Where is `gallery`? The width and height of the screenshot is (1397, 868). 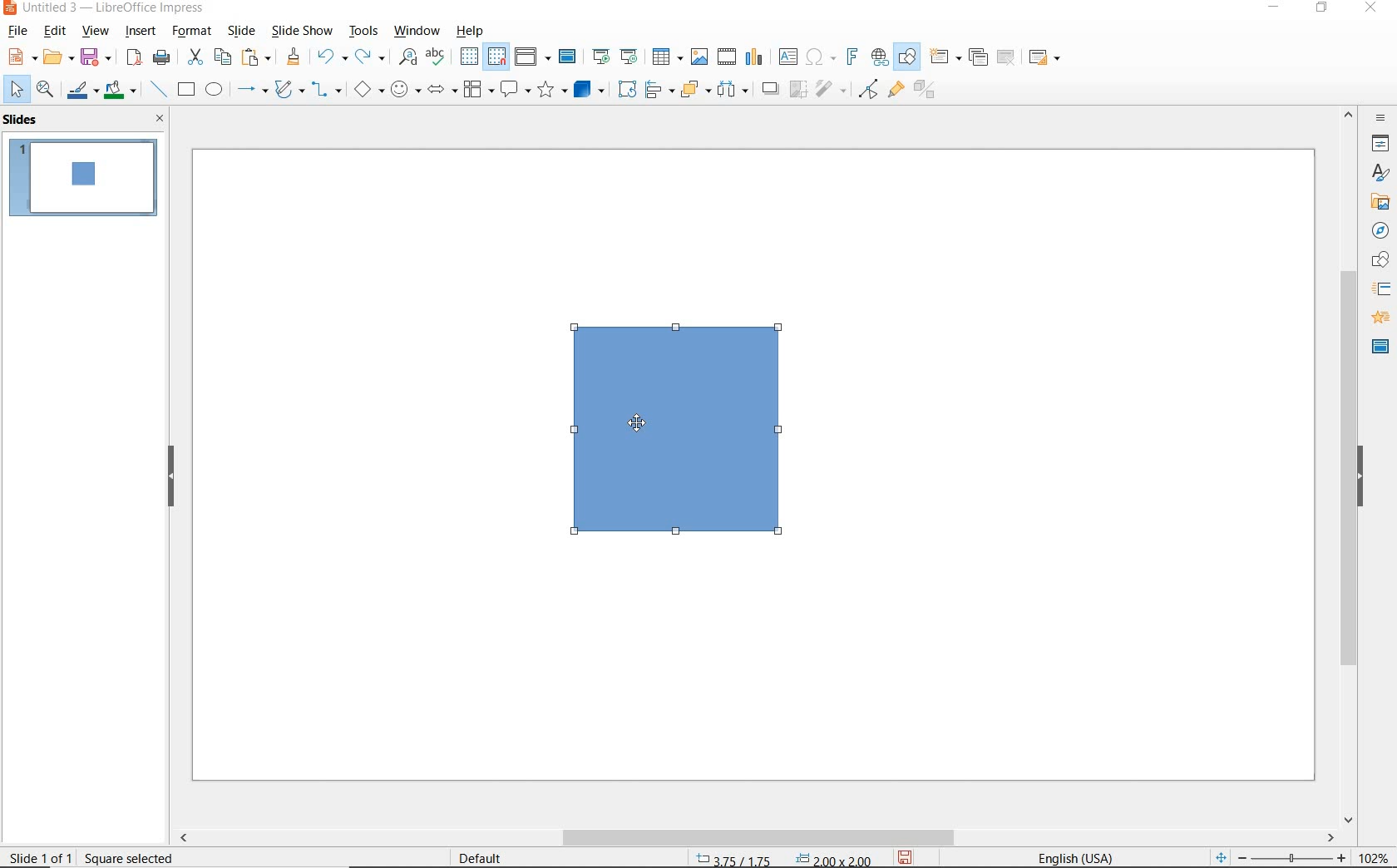
gallery is located at coordinates (1380, 201).